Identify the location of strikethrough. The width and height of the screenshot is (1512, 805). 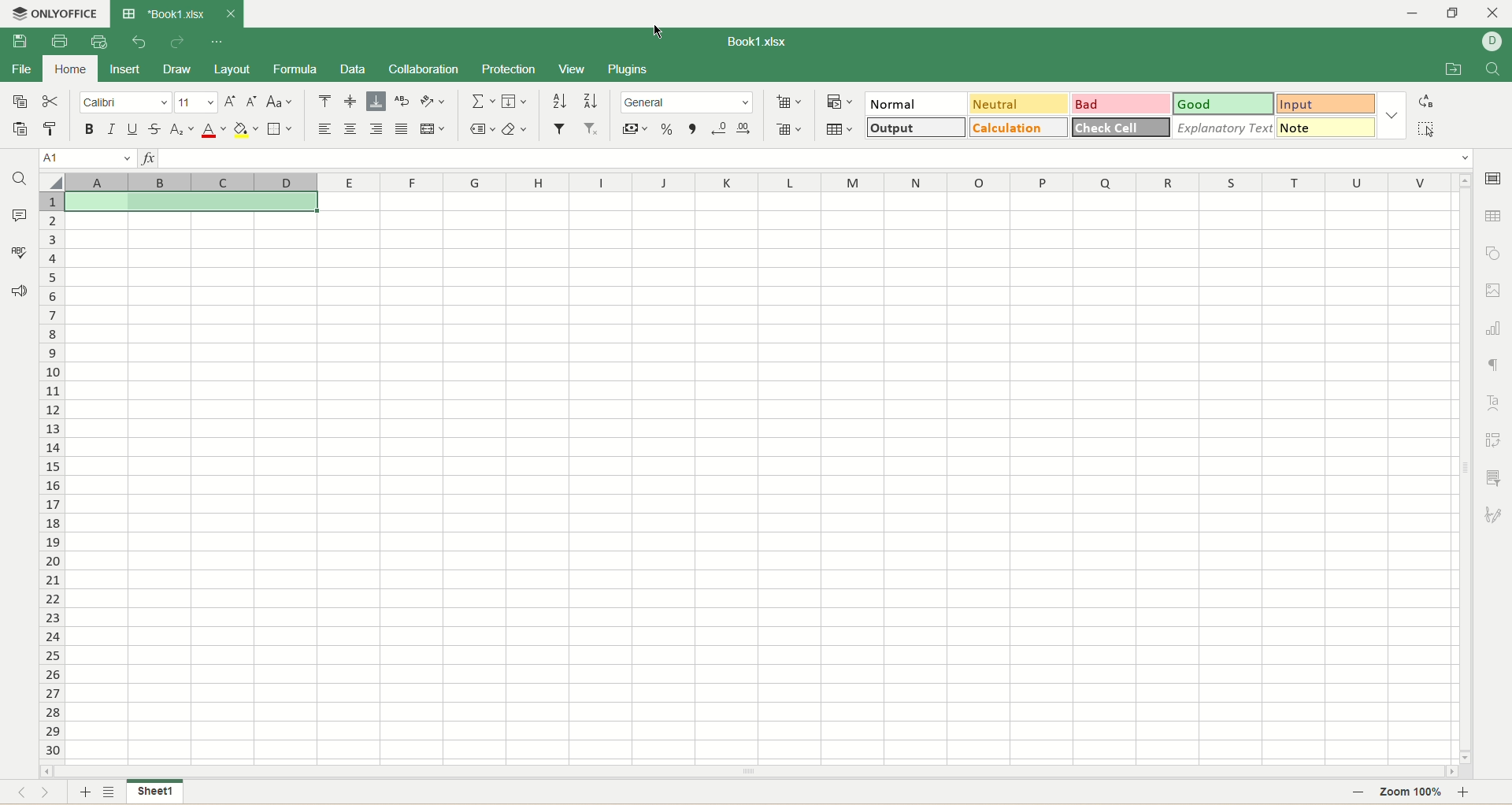
(157, 128).